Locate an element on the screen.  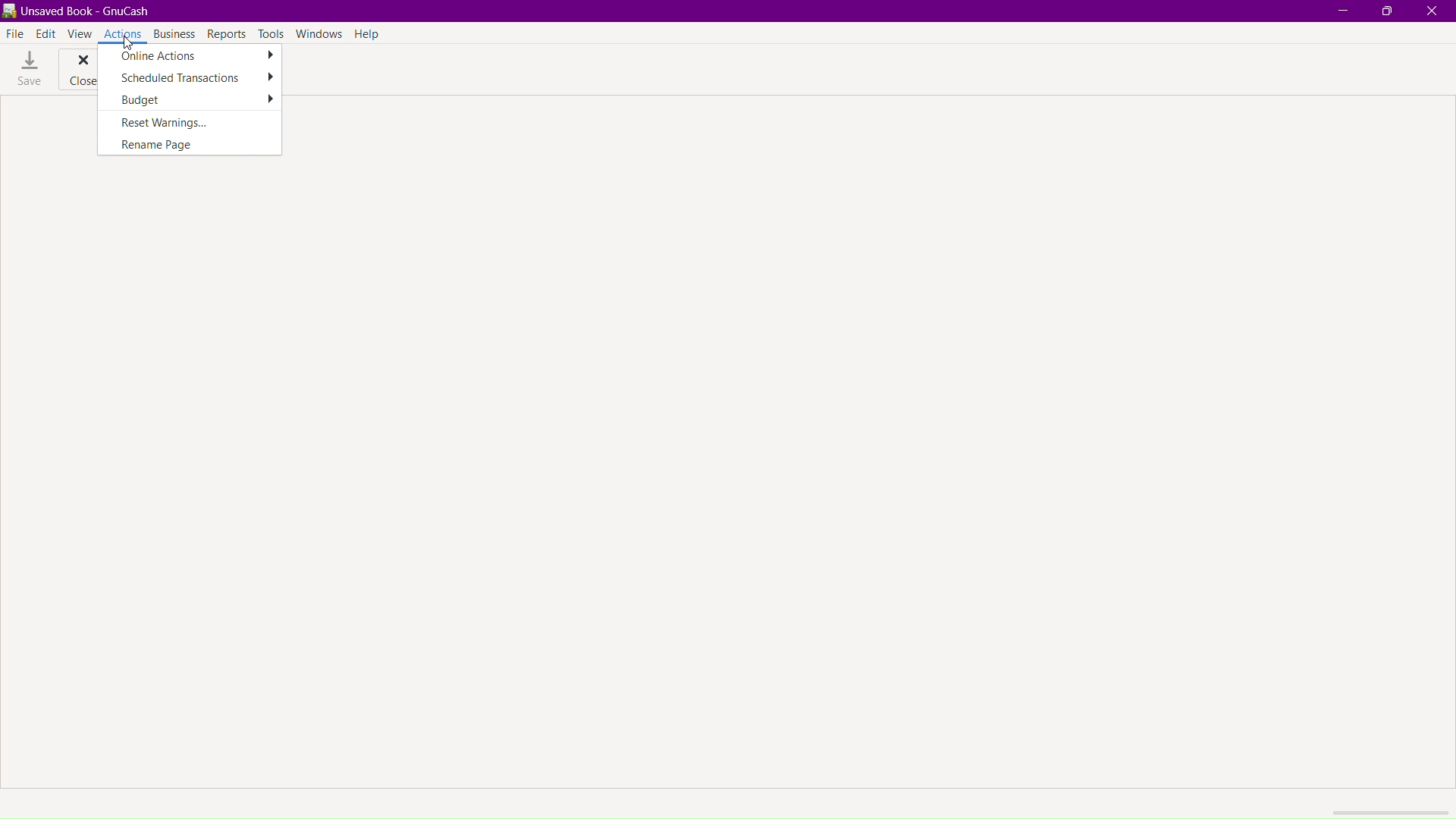
File is located at coordinates (15, 33).